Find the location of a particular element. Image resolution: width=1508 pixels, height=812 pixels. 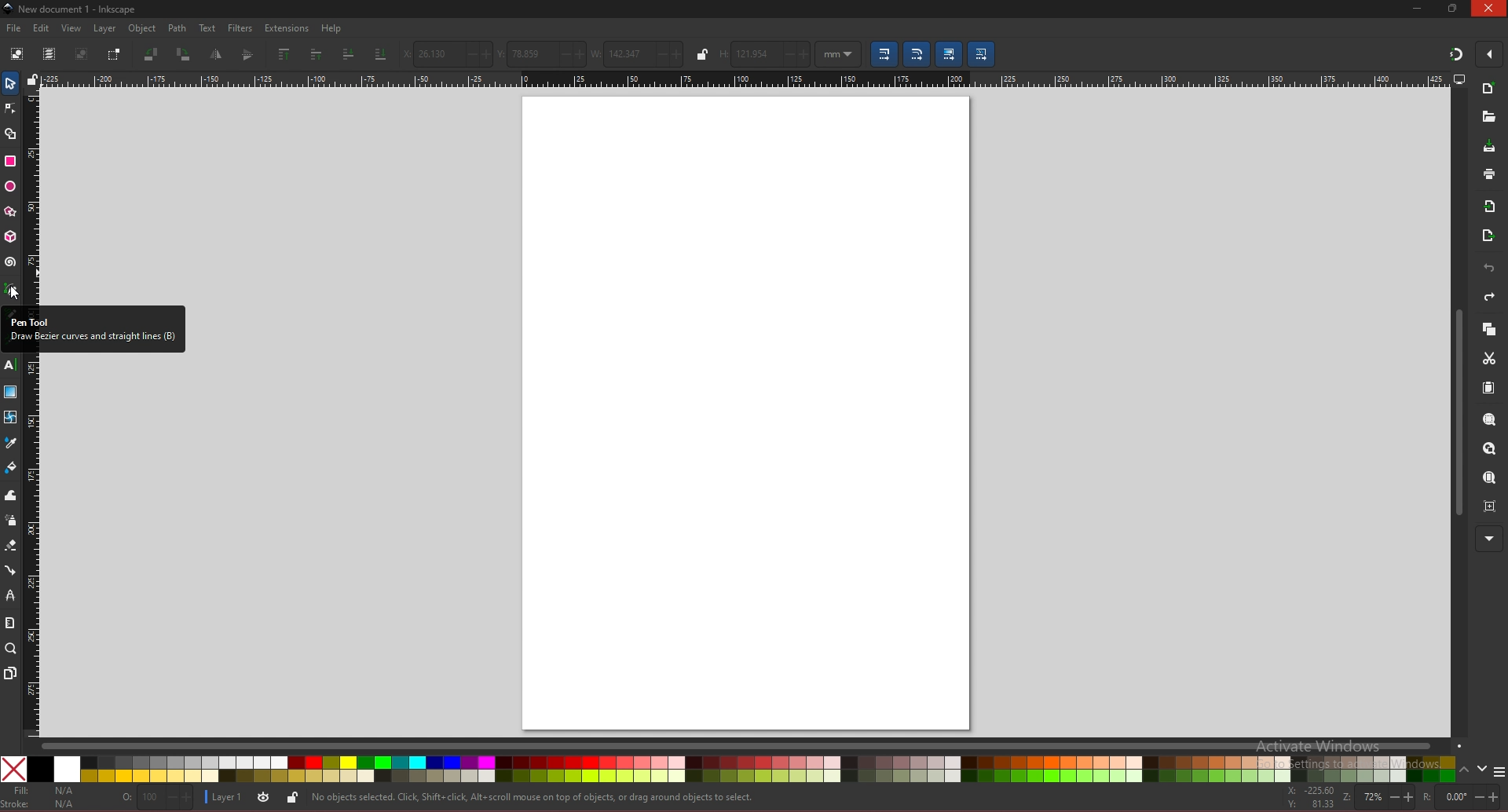

minimize is located at coordinates (1418, 8).